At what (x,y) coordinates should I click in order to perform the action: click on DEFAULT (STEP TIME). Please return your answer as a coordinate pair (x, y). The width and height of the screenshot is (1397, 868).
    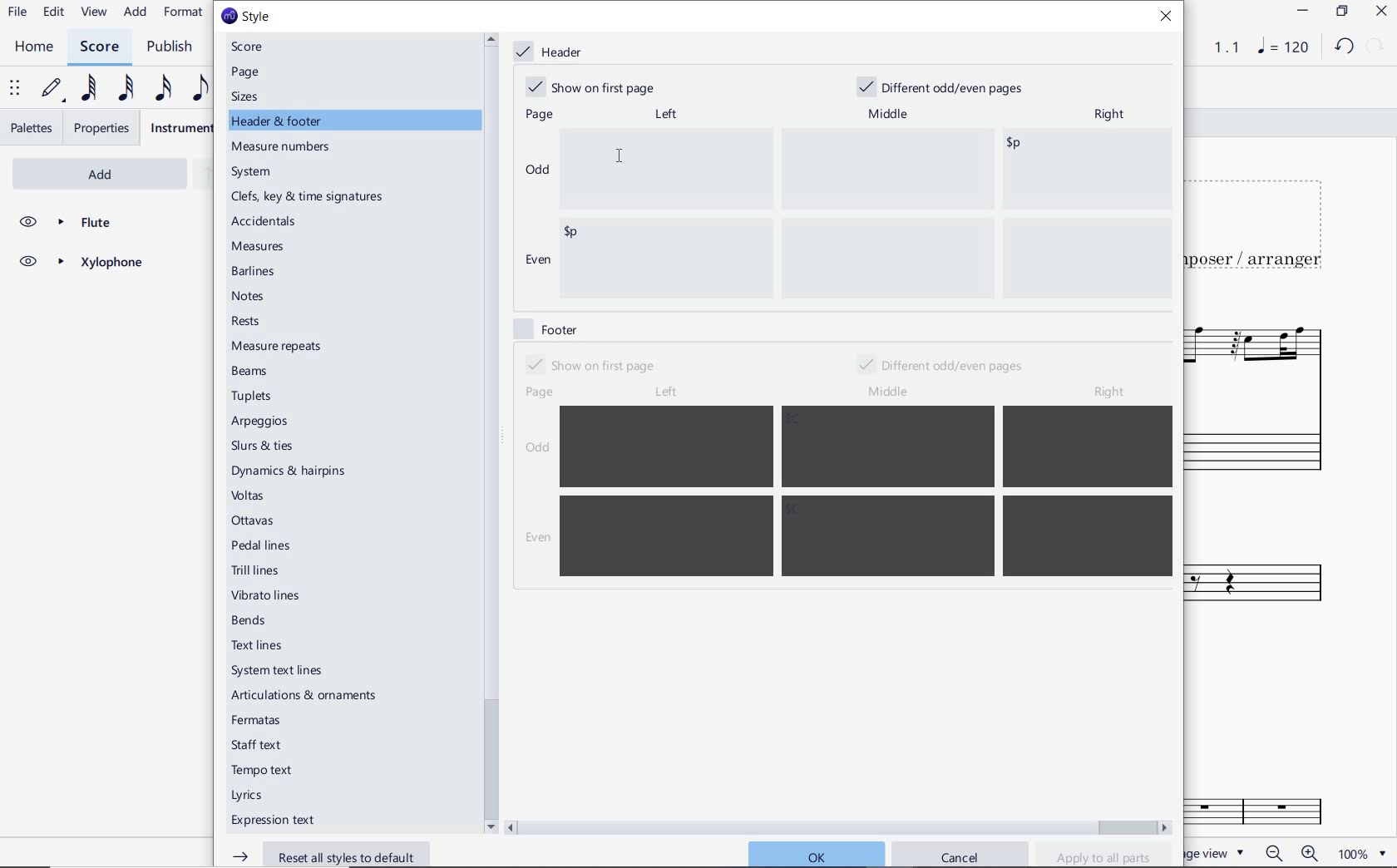
    Looking at the image, I should click on (52, 91).